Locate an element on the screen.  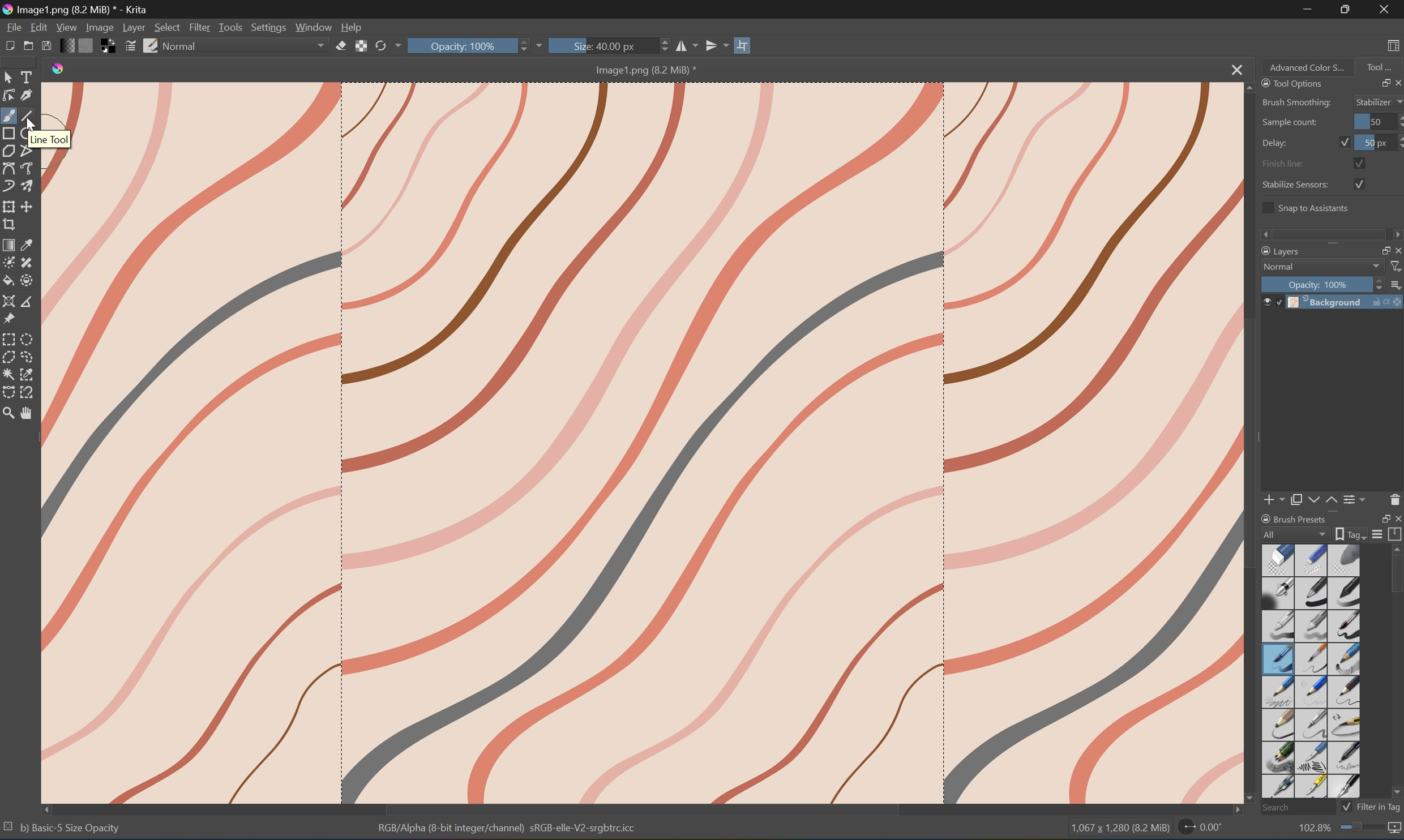
Brush tool is located at coordinates (9, 114).